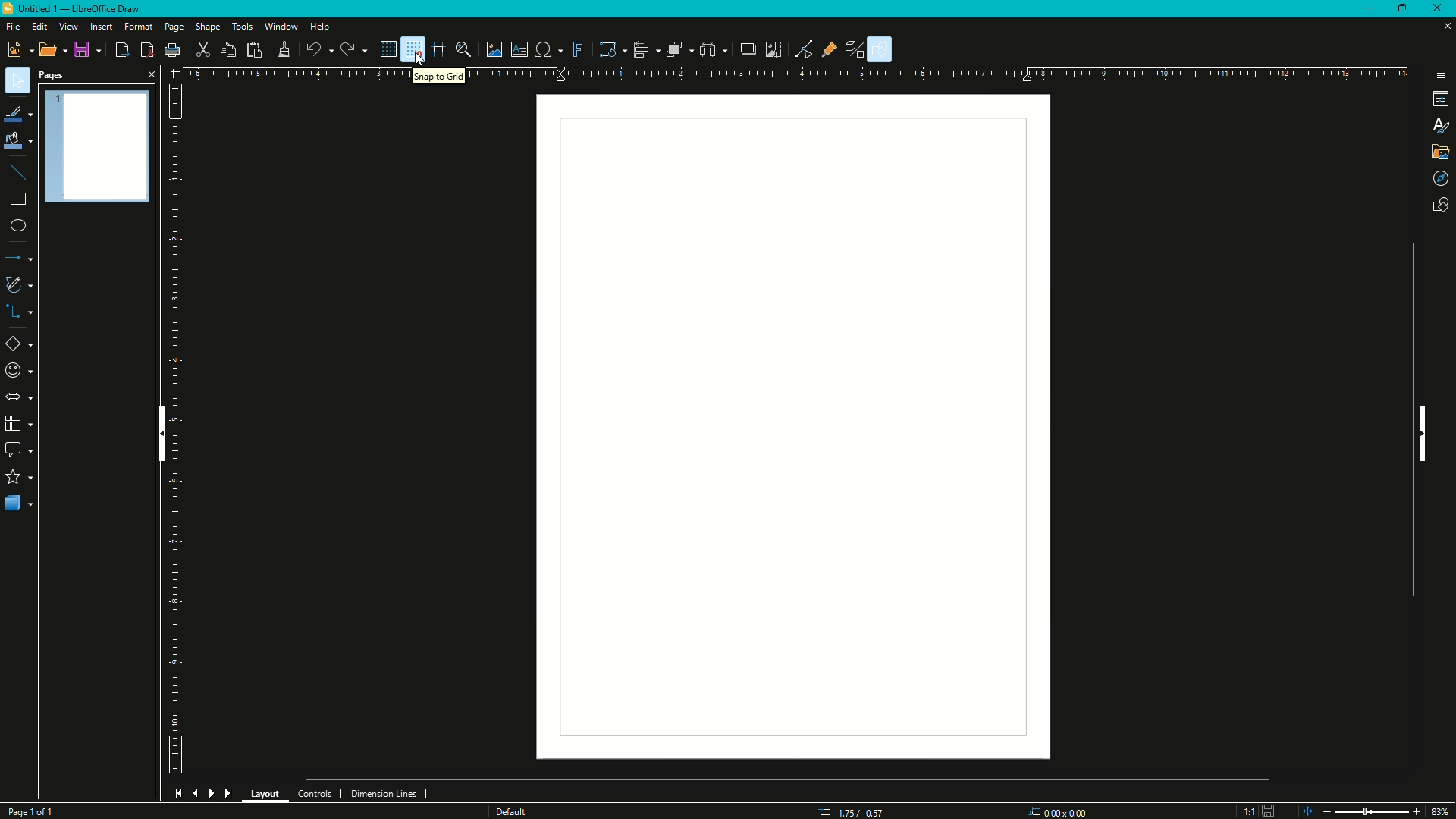 The image size is (1456, 819). What do you see at coordinates (381, 49) in the screenshot?
I see `Display grid` at bounding box center [381, 49].